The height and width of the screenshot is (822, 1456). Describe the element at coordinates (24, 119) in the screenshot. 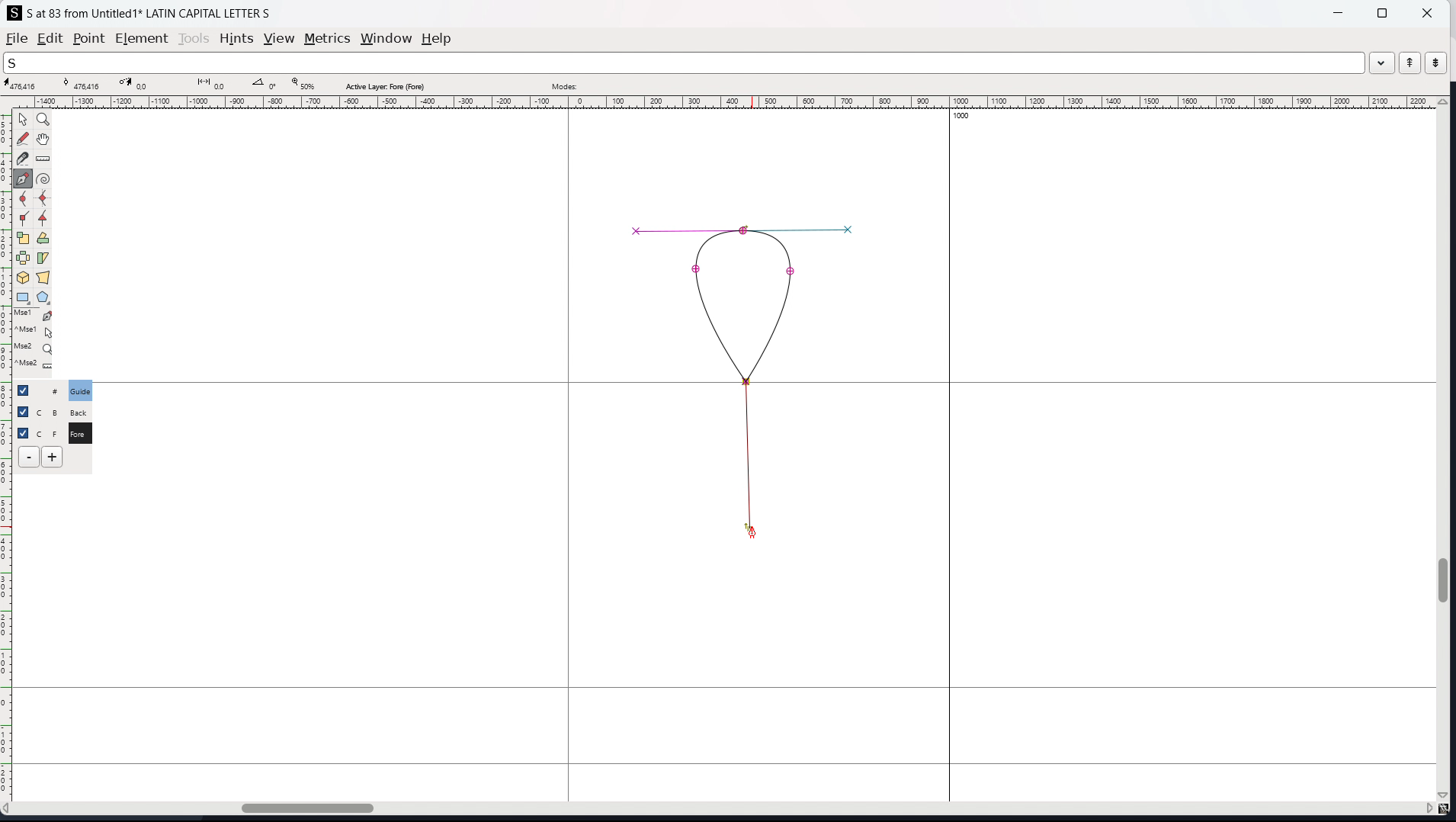

I see `pointer` at that location.